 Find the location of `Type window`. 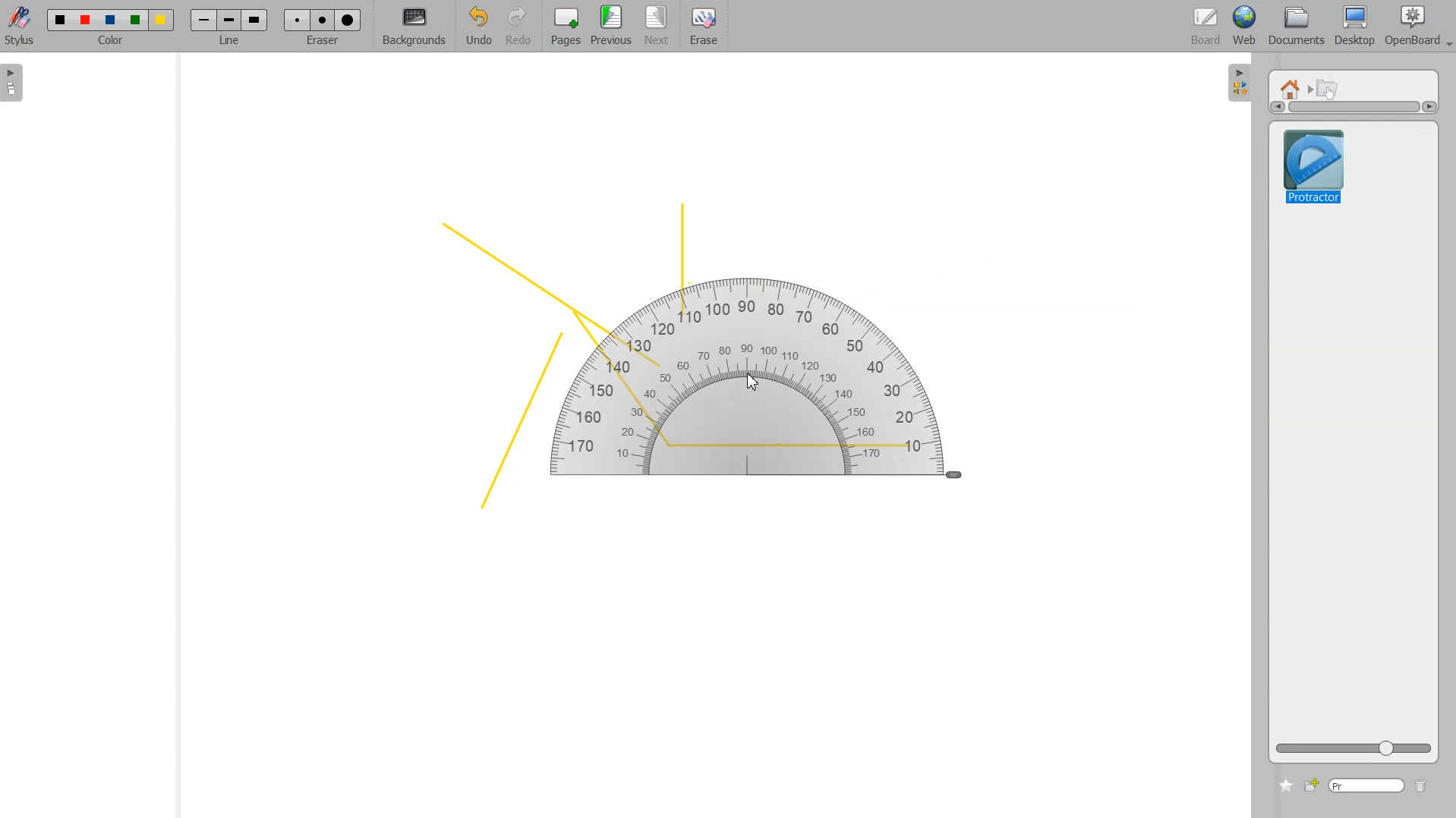

Type window is located at coordinates (1366, 786).